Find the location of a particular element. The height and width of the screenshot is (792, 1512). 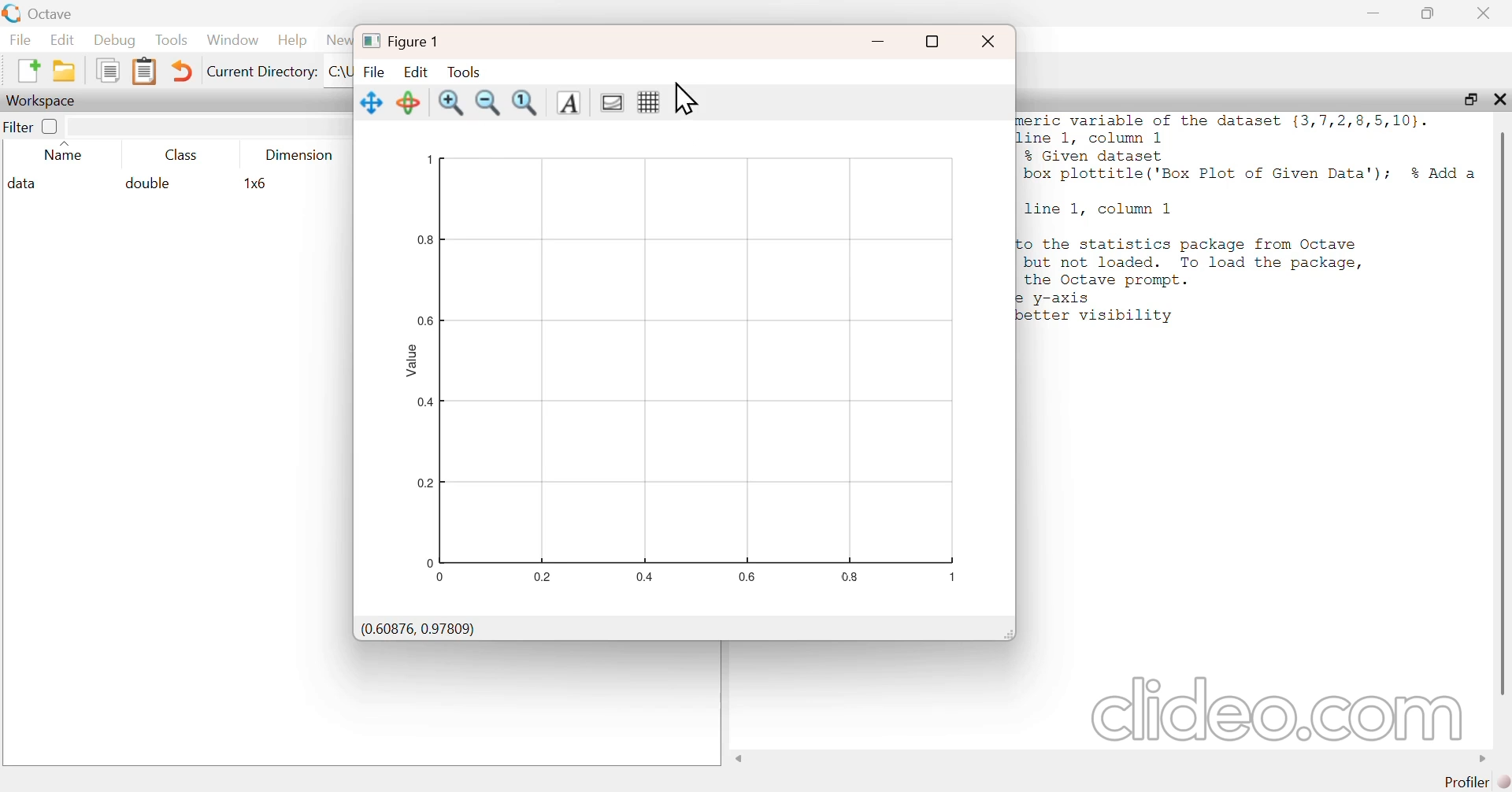

reset view is located at coordinates (408, 101).